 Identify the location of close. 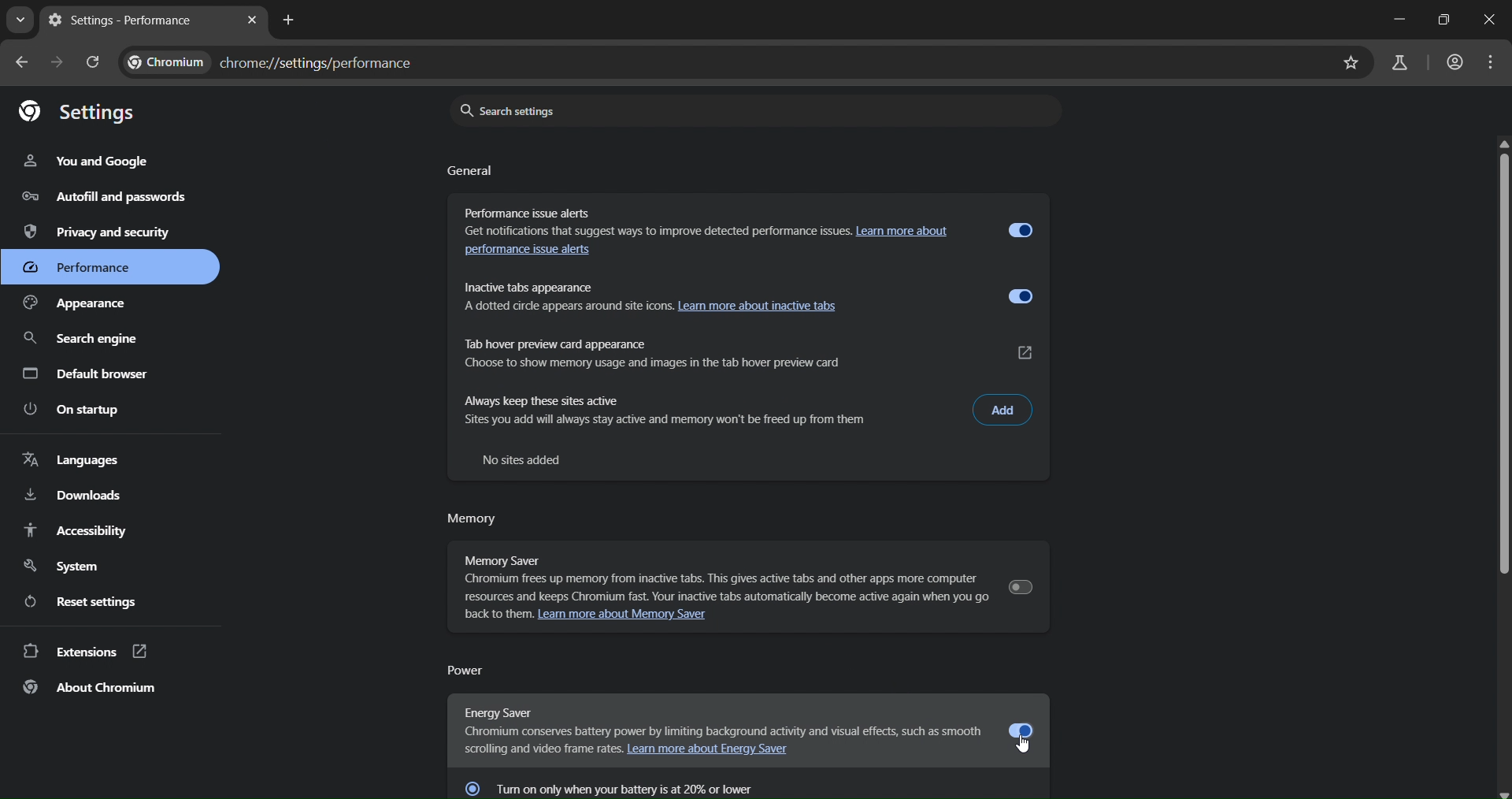
(1492, 20).